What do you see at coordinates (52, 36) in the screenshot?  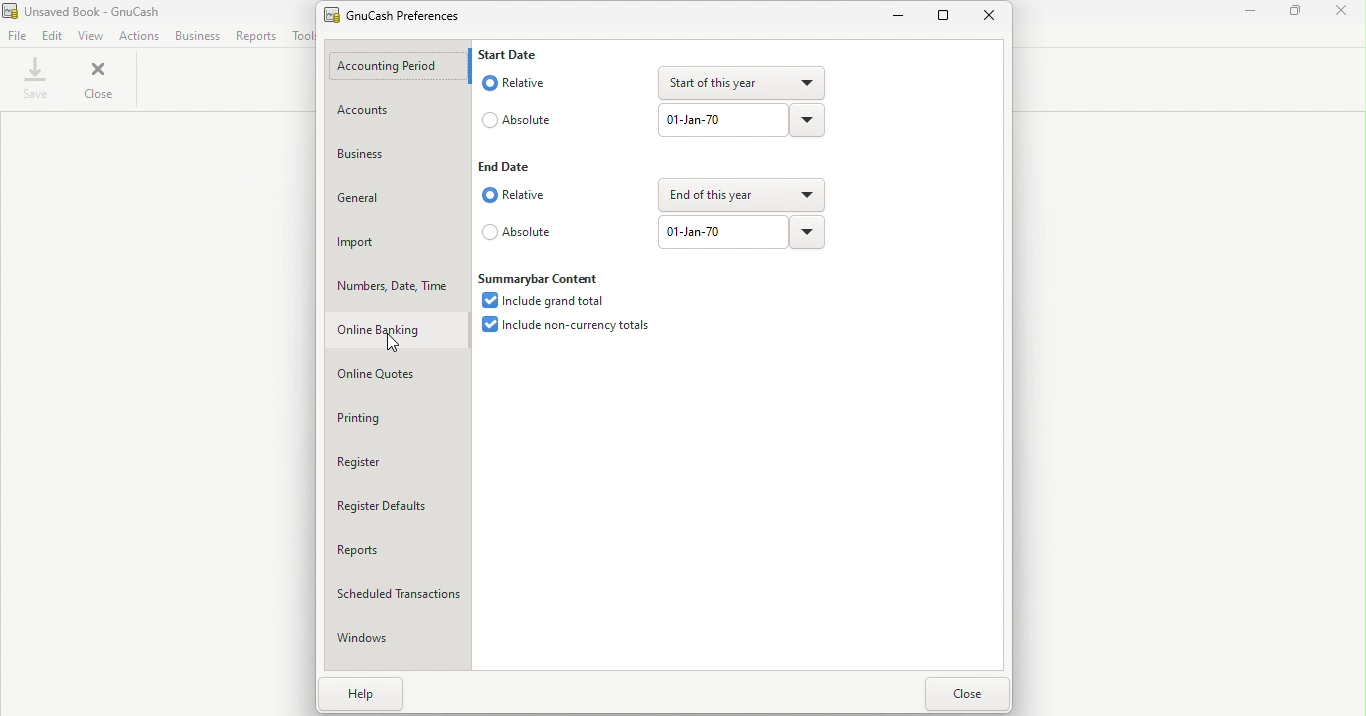 I see `Edit` at bounding box center [52, 36].